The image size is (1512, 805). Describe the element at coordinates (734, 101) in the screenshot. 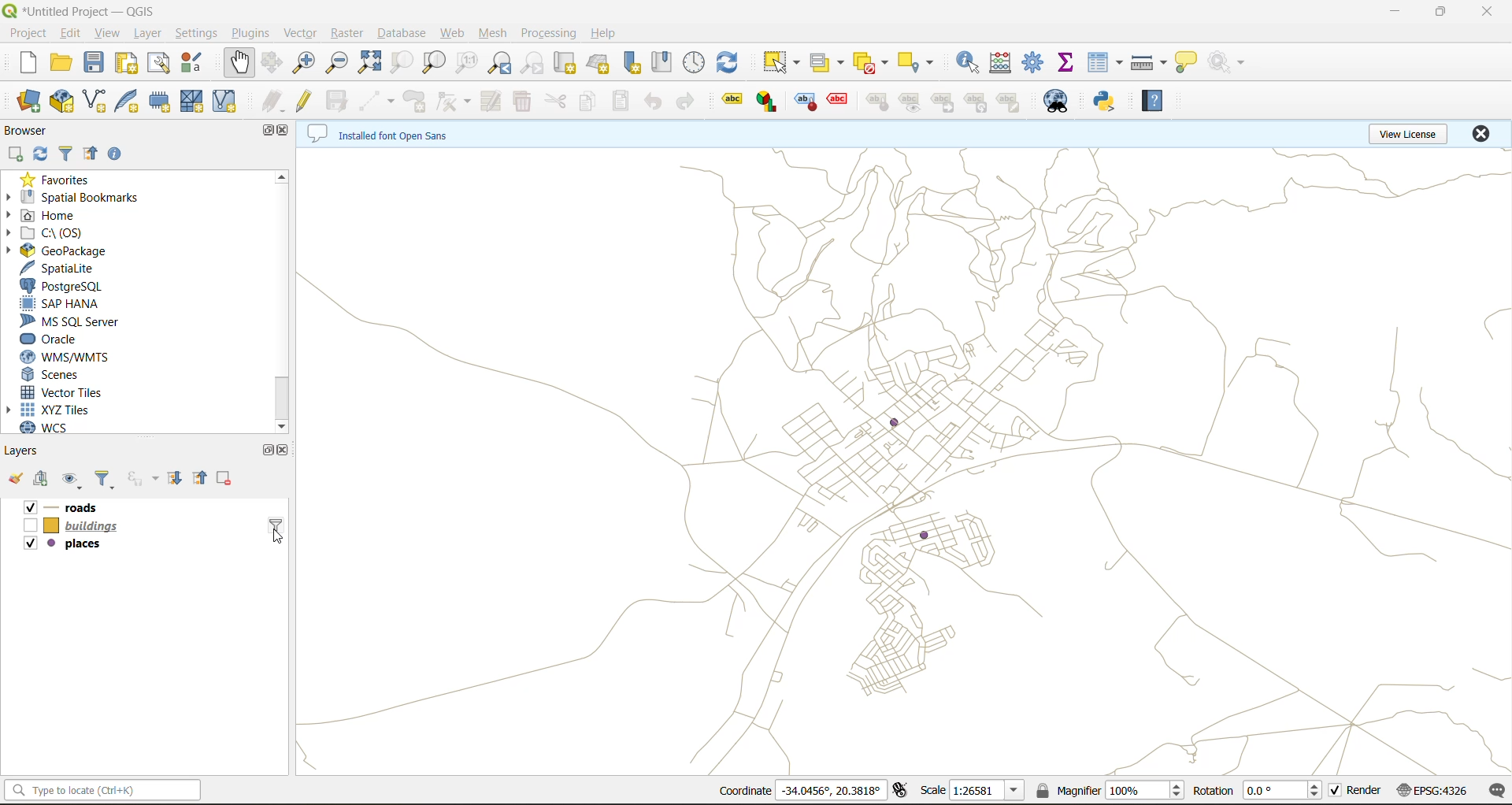

I see `Label` at that location.